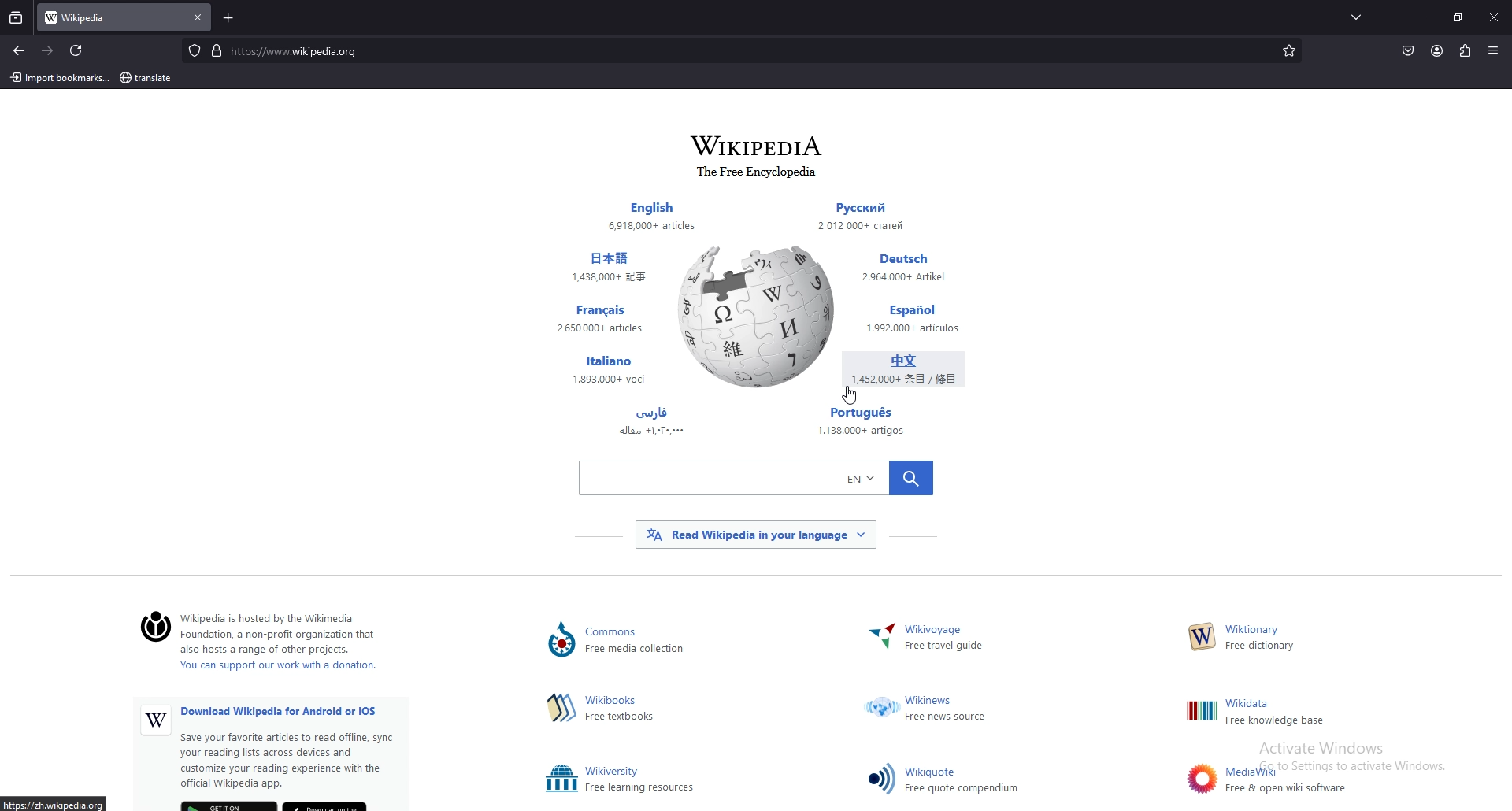  What do you see at coordinates (916, 271) in the screenshot?
I see `` at bounding box center [916, 271].